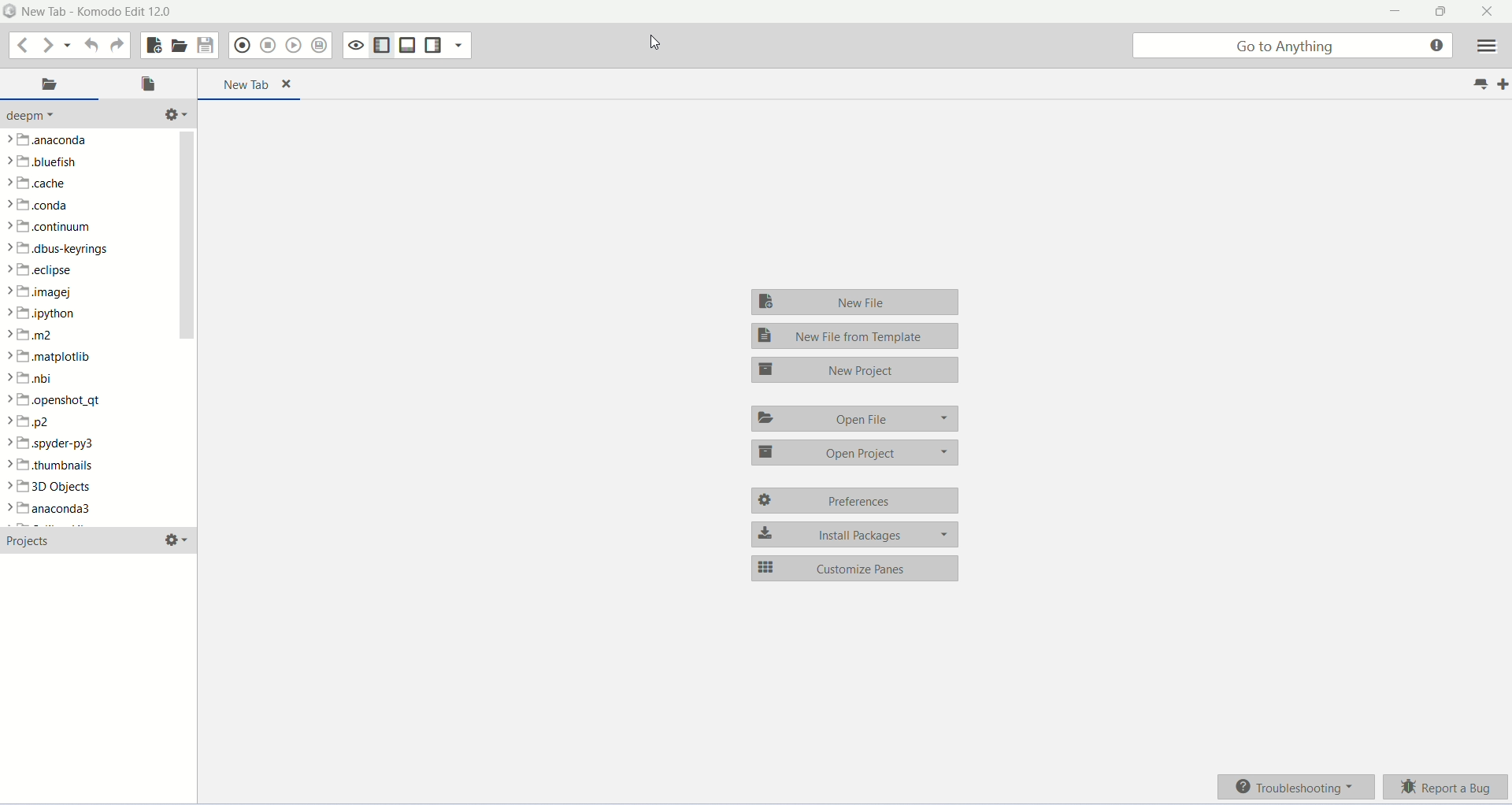 The image size is (1512, 805). I want to click on report a bug, so click(1449, 786).